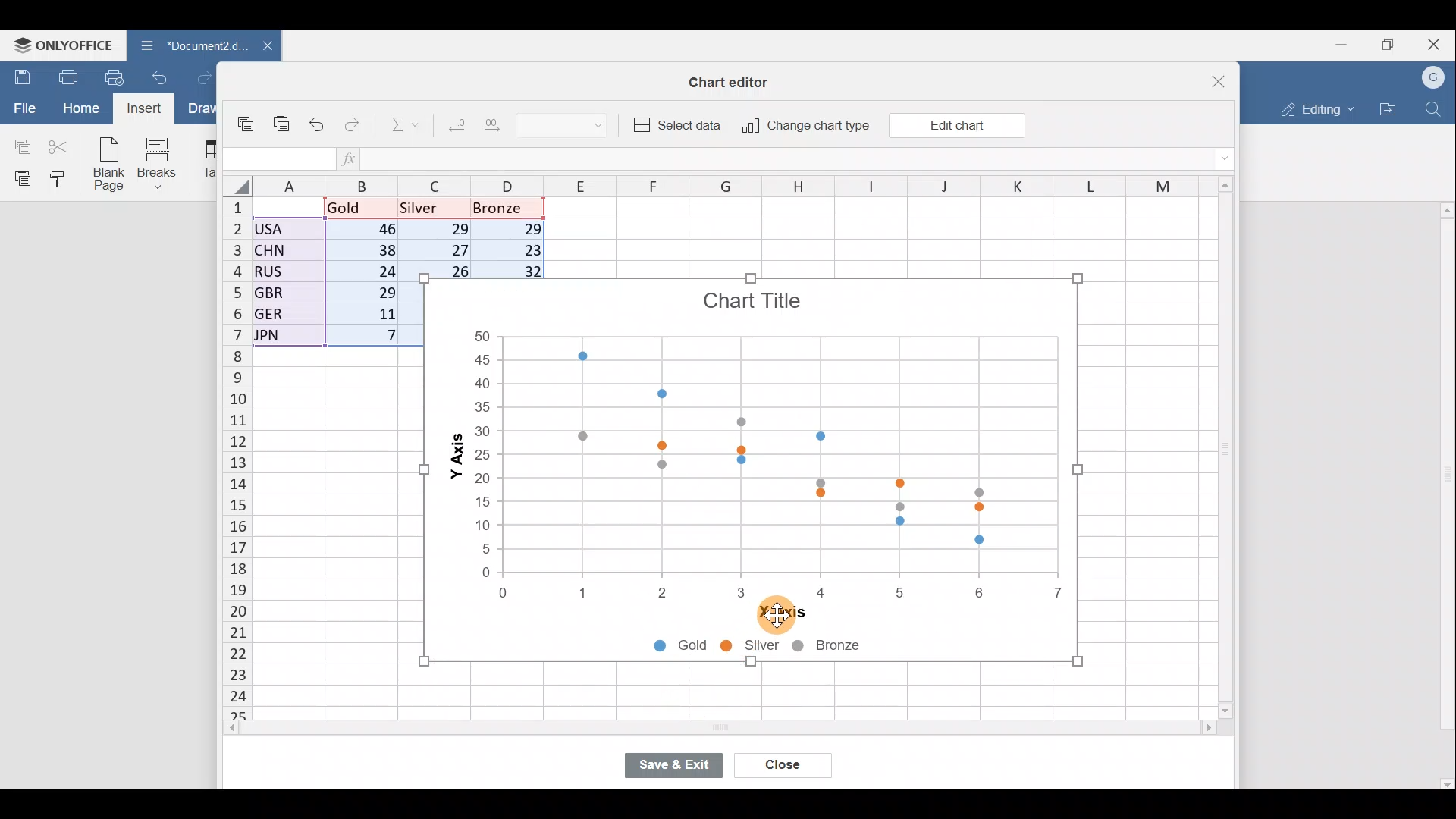 The height and width of the screenshot is (819, 1456). Describe the element at coordinates (688, 730) in the screenshot. I see `Scroll bar` at that location.